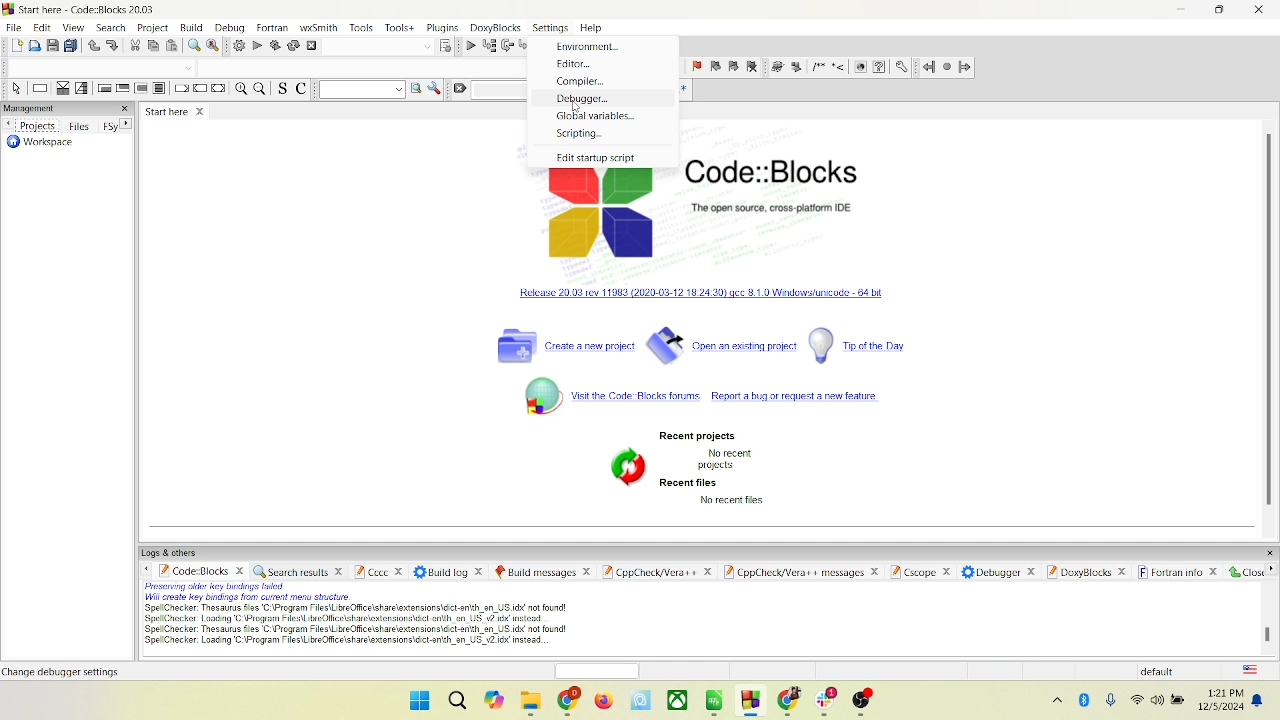 Image resolution: width=1280 pixels, height=720 pixels. I want to click on debug, so click(233, 30).